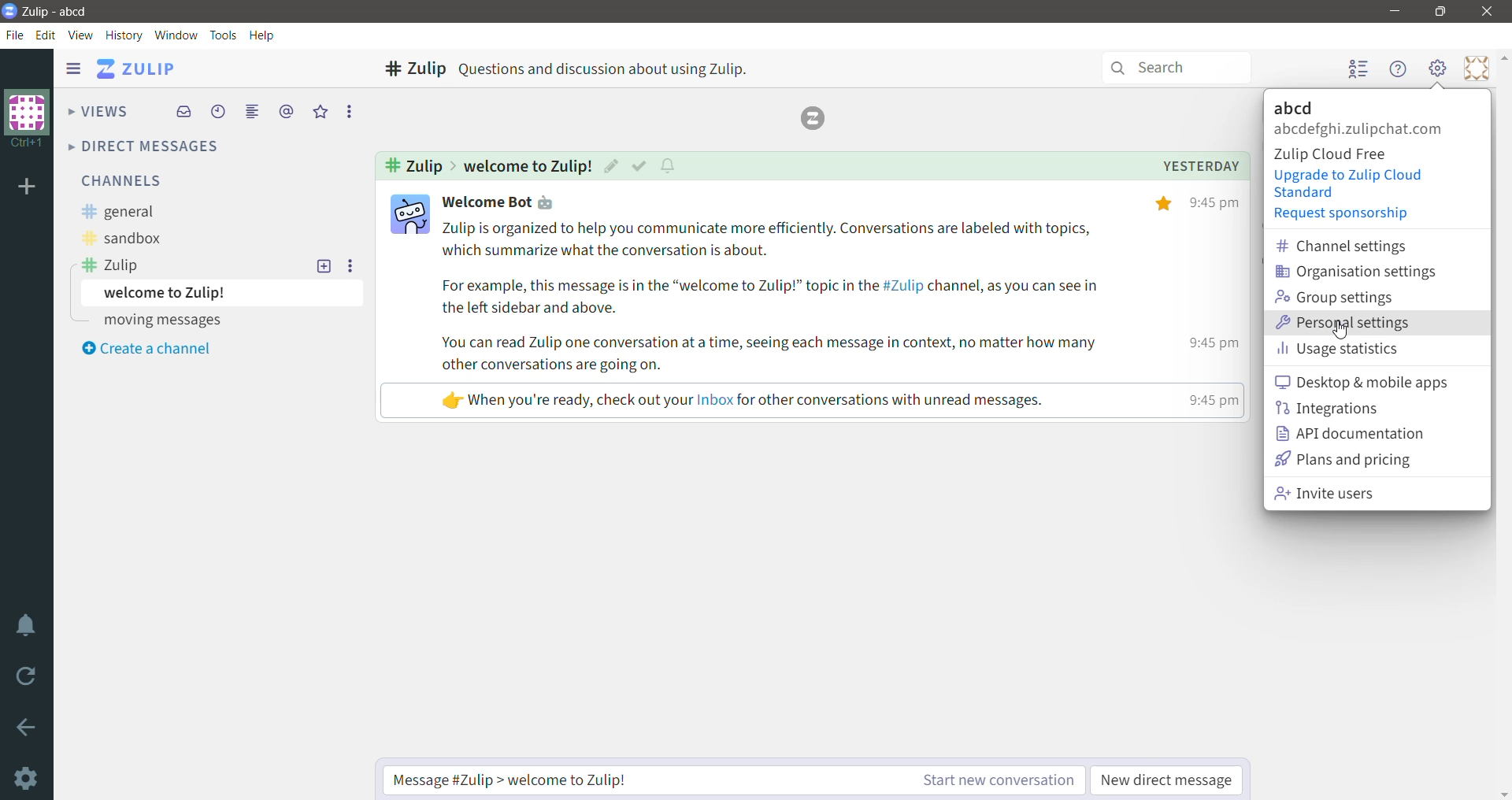 The image size is (1512, 800). What do you see at coordinates (183, 112) in the screenshot?
I see `Inbox` at bounding box center [183, 112].